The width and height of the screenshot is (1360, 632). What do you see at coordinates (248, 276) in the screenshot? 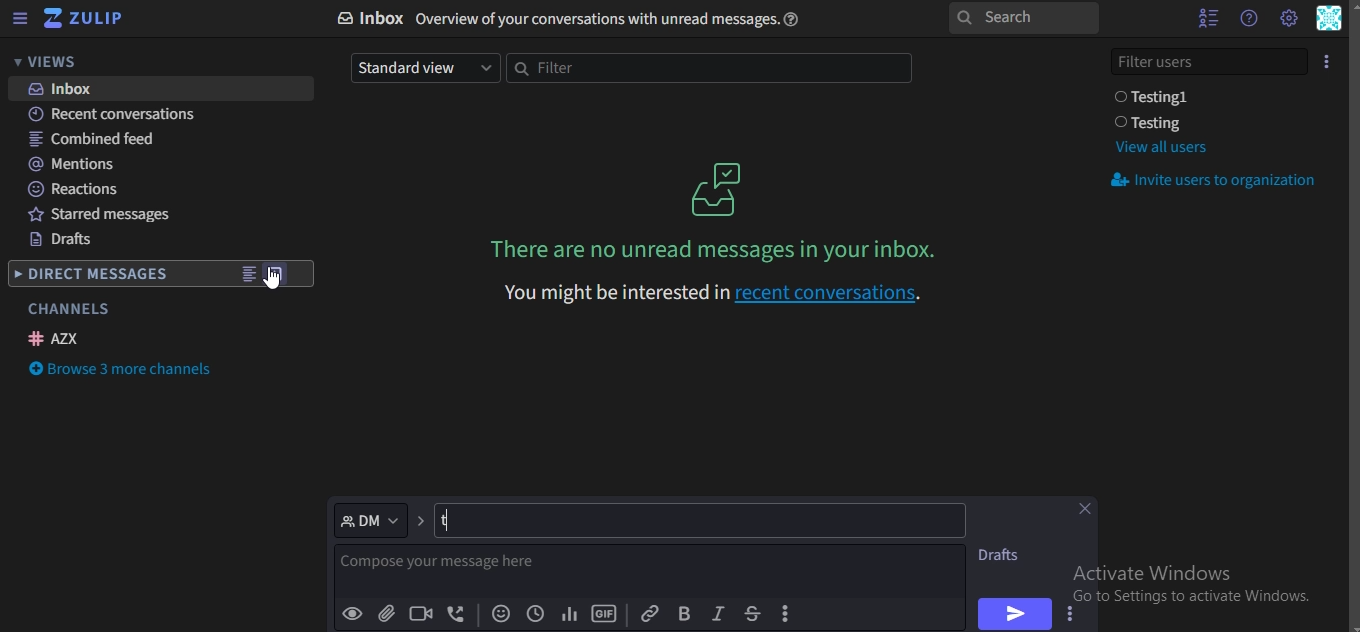
I see `view` at bounding box center [248, 276].